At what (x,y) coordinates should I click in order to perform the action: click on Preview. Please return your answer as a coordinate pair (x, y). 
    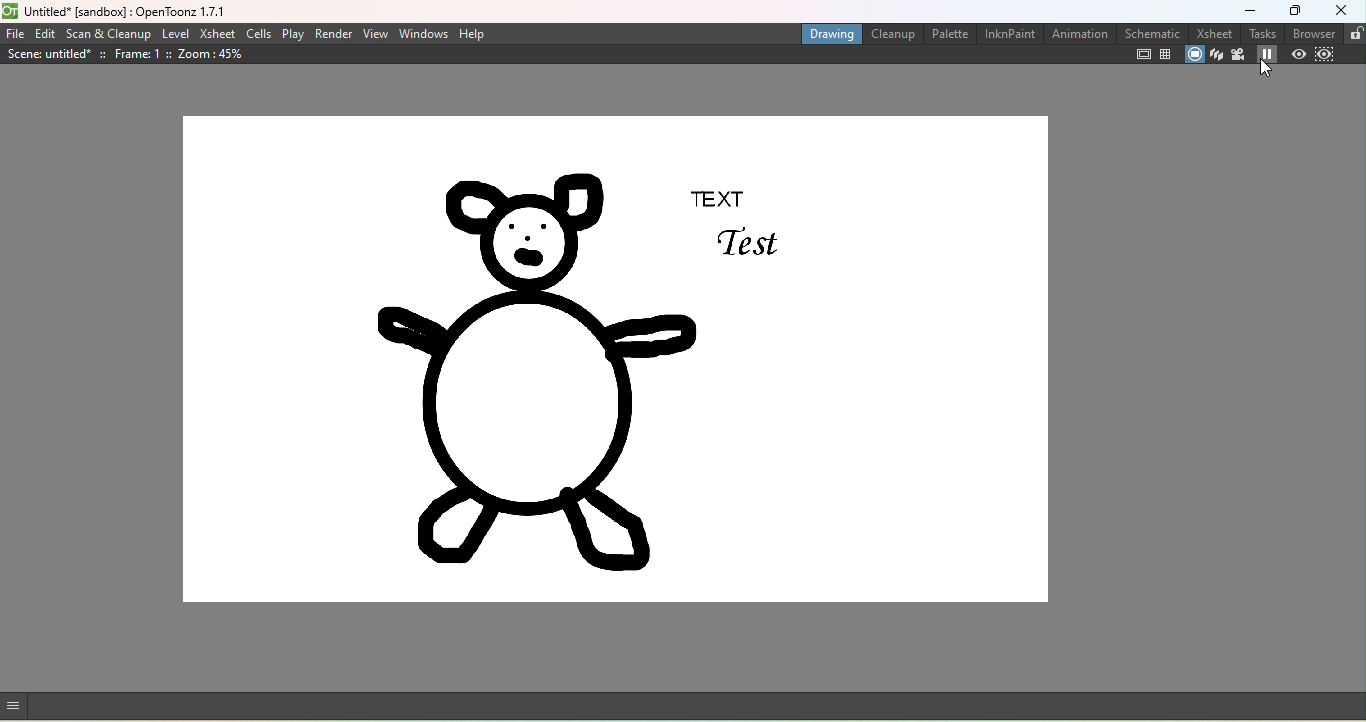
    Looking at the image, I should click on (1297, 55).